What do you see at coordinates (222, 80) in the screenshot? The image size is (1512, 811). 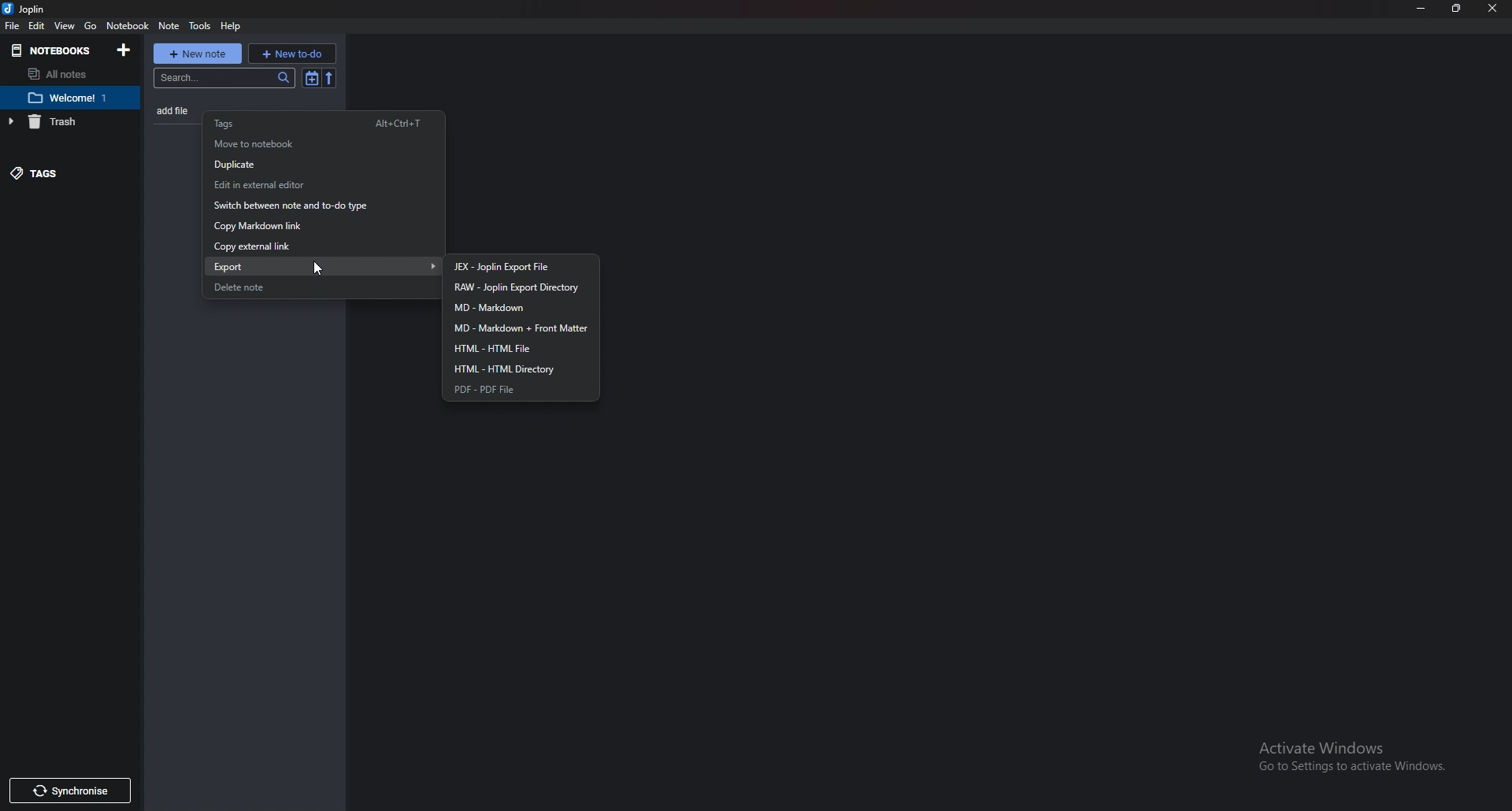 I see `search` at bounding box center [222, 80].